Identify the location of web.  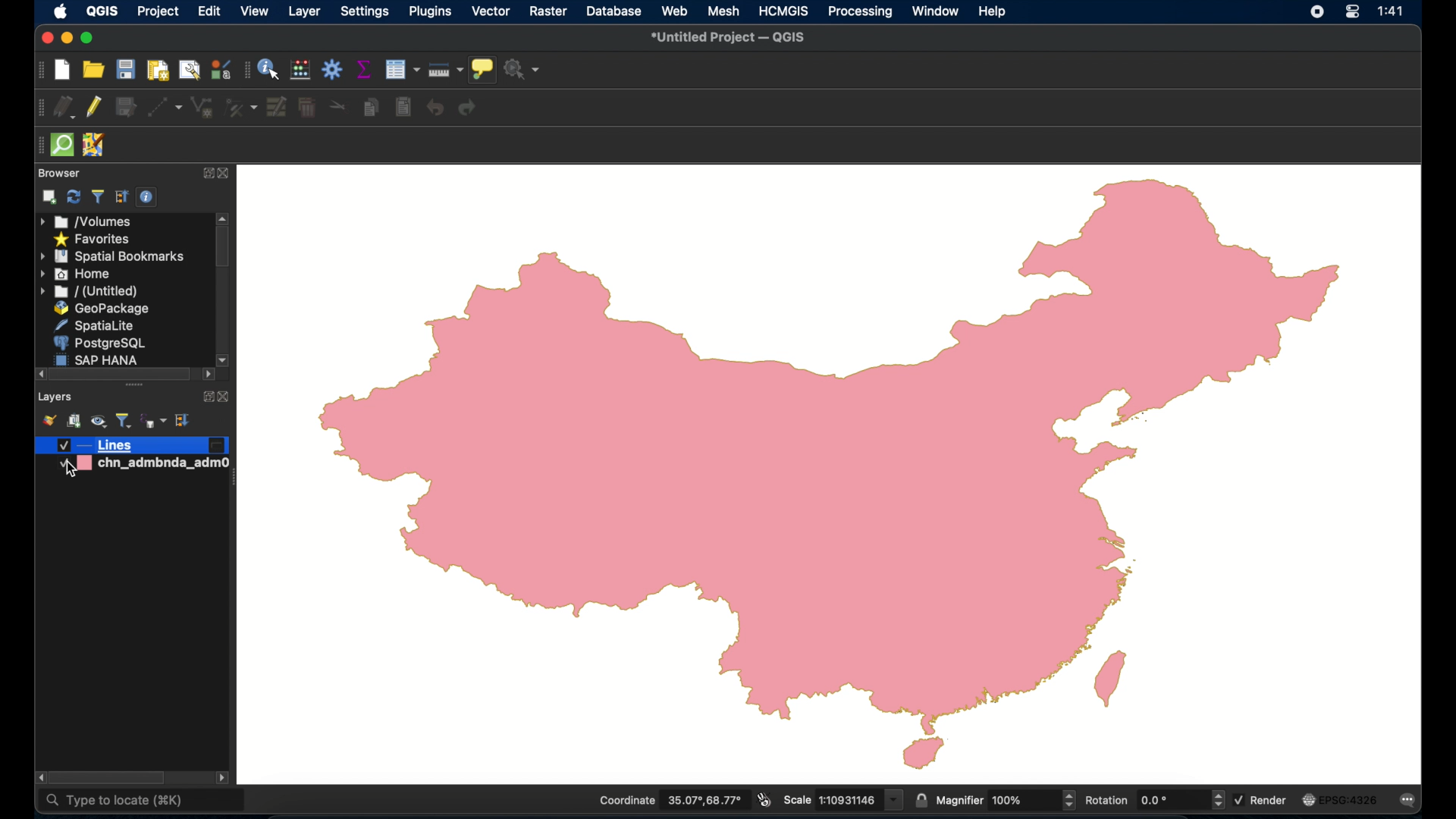
(674, 11).